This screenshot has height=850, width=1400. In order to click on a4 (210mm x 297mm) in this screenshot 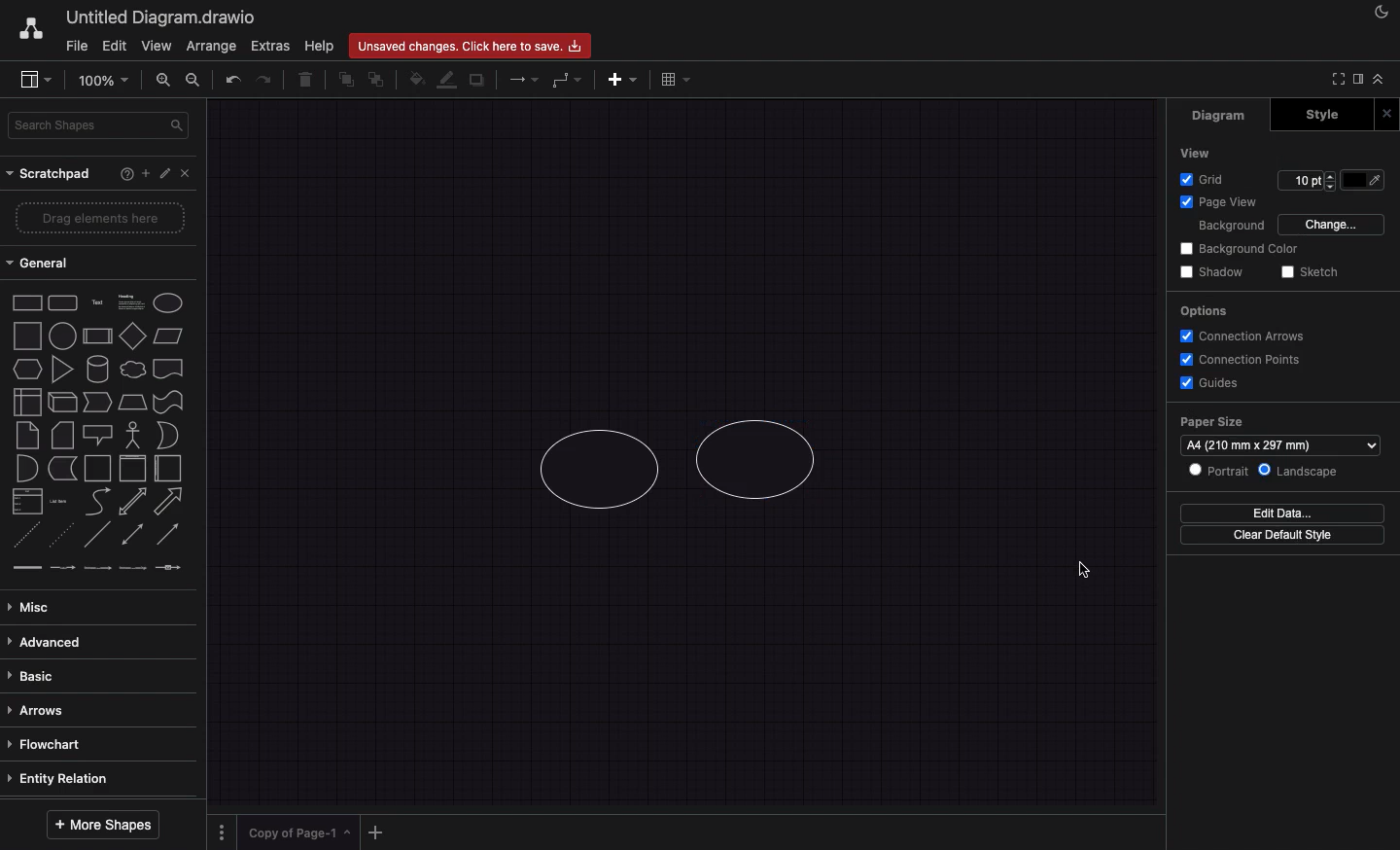, I will do `click(1281, 445)`.